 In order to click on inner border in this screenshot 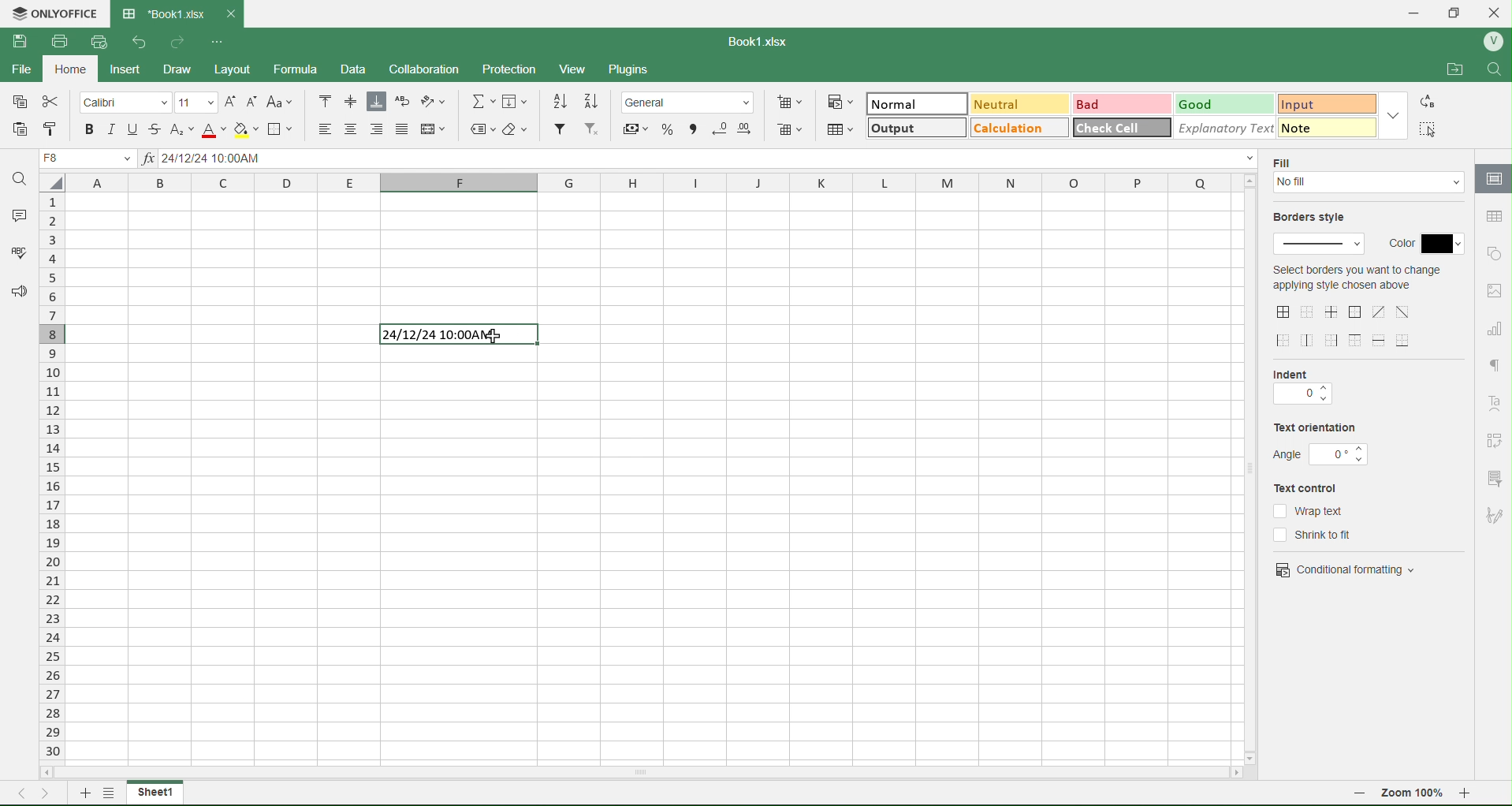, I will do `click(1333, 312)`.